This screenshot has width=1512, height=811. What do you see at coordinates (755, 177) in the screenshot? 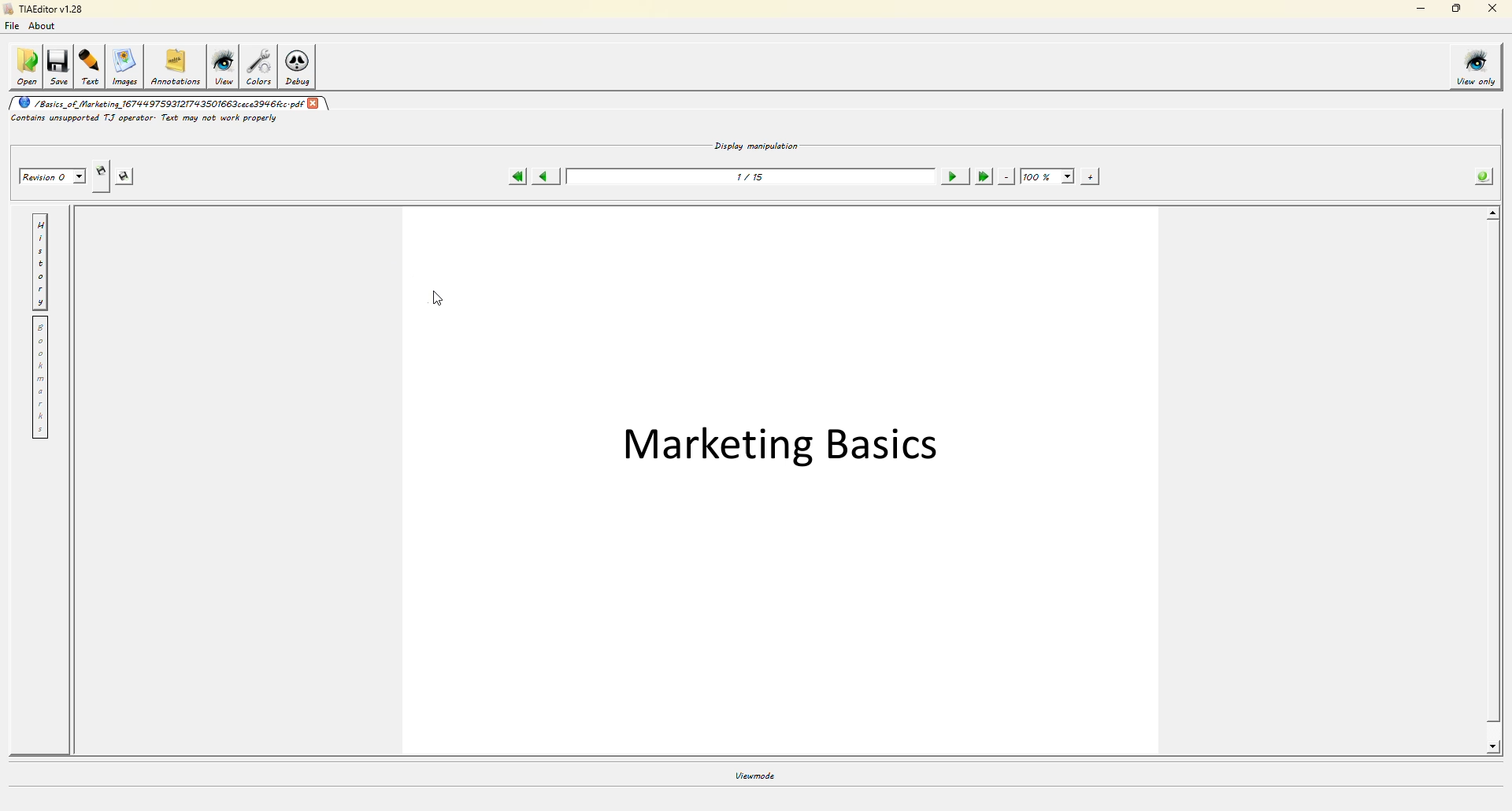
I see `page number` at bounding box center [755, 177].